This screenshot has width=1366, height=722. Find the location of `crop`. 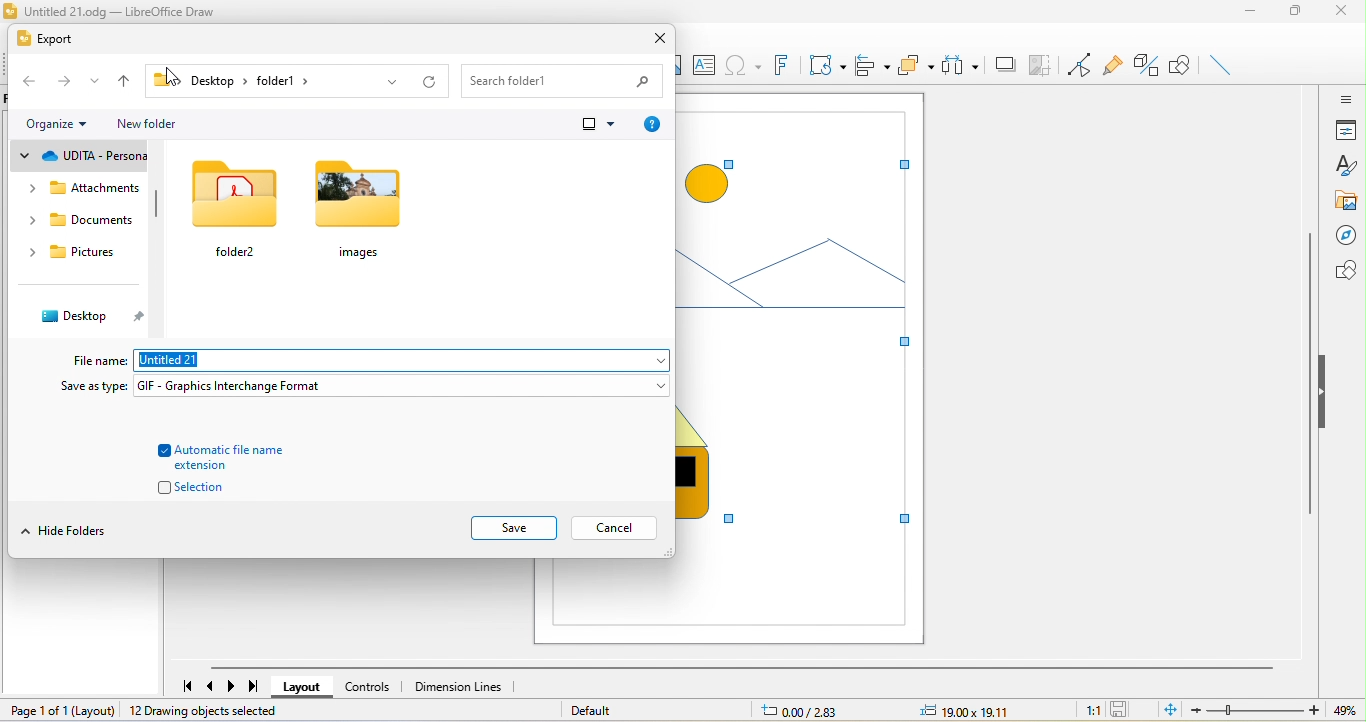

crop is located at coordinates (1041, 66).